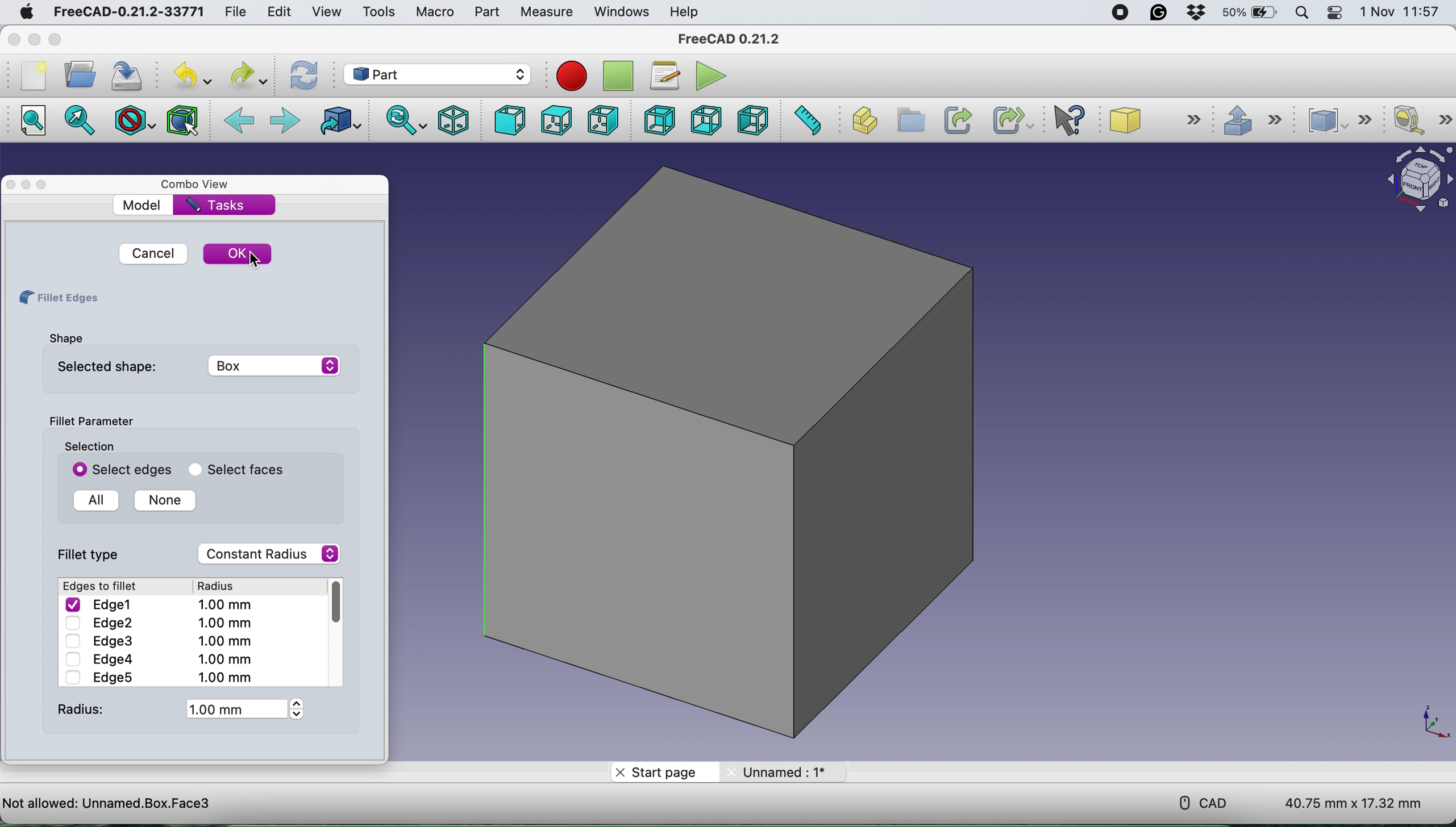  What do you see at coordinates (1154, 119) in the screenshot?
I see `cube` at bounding box center [1154, 119].